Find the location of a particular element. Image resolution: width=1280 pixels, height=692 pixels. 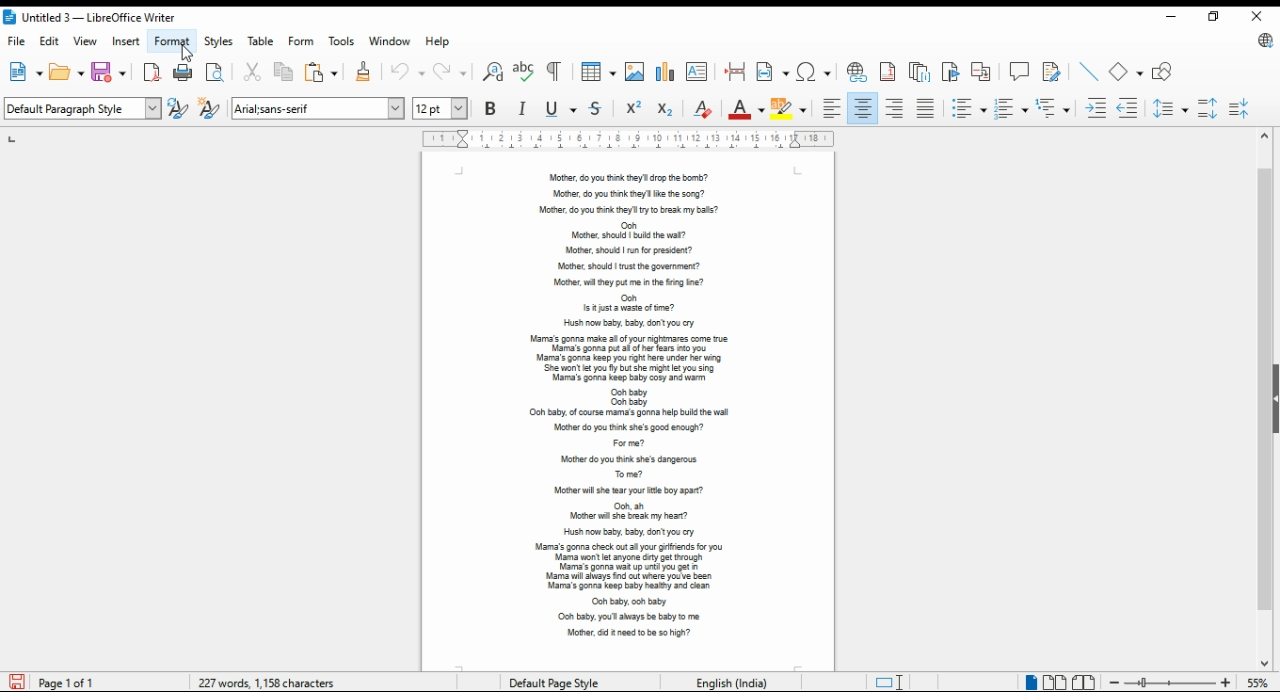

insert line is located at coordinates (1090, 72).